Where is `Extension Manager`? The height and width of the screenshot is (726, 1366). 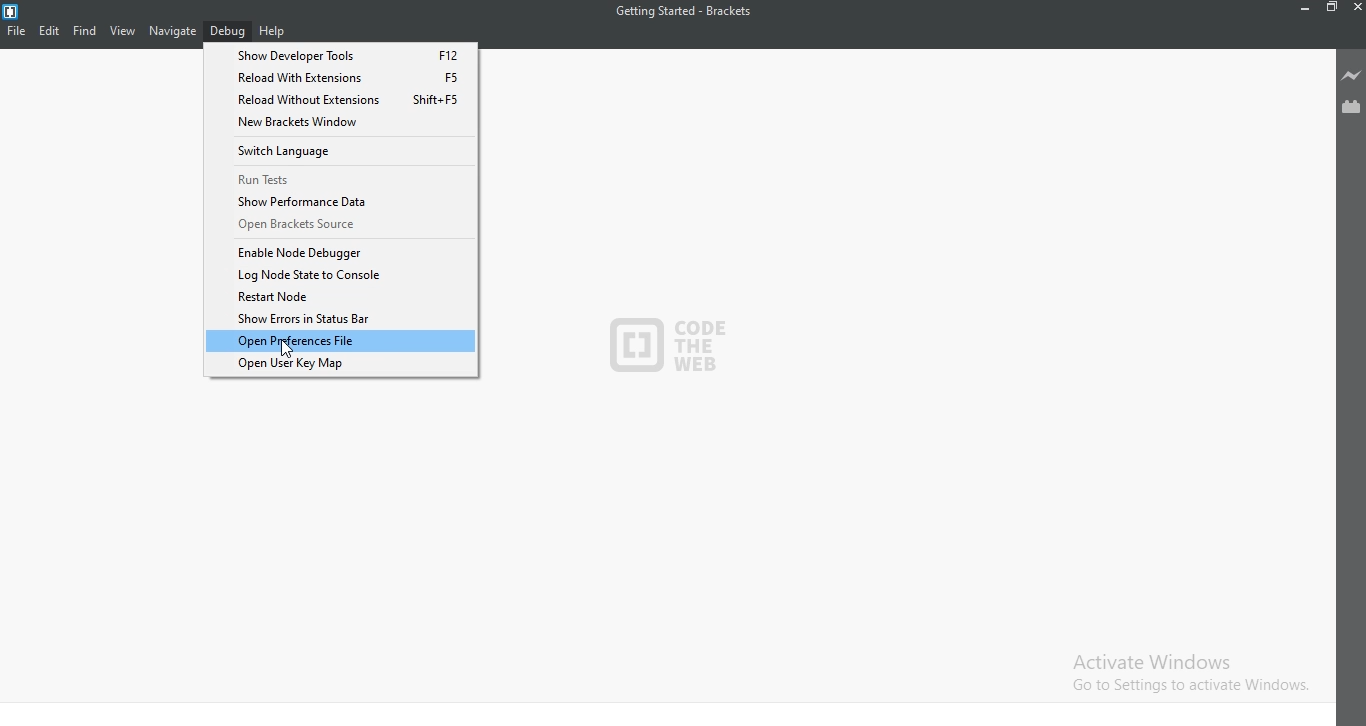 Extension Manager is located at coordinates (1351, 106).